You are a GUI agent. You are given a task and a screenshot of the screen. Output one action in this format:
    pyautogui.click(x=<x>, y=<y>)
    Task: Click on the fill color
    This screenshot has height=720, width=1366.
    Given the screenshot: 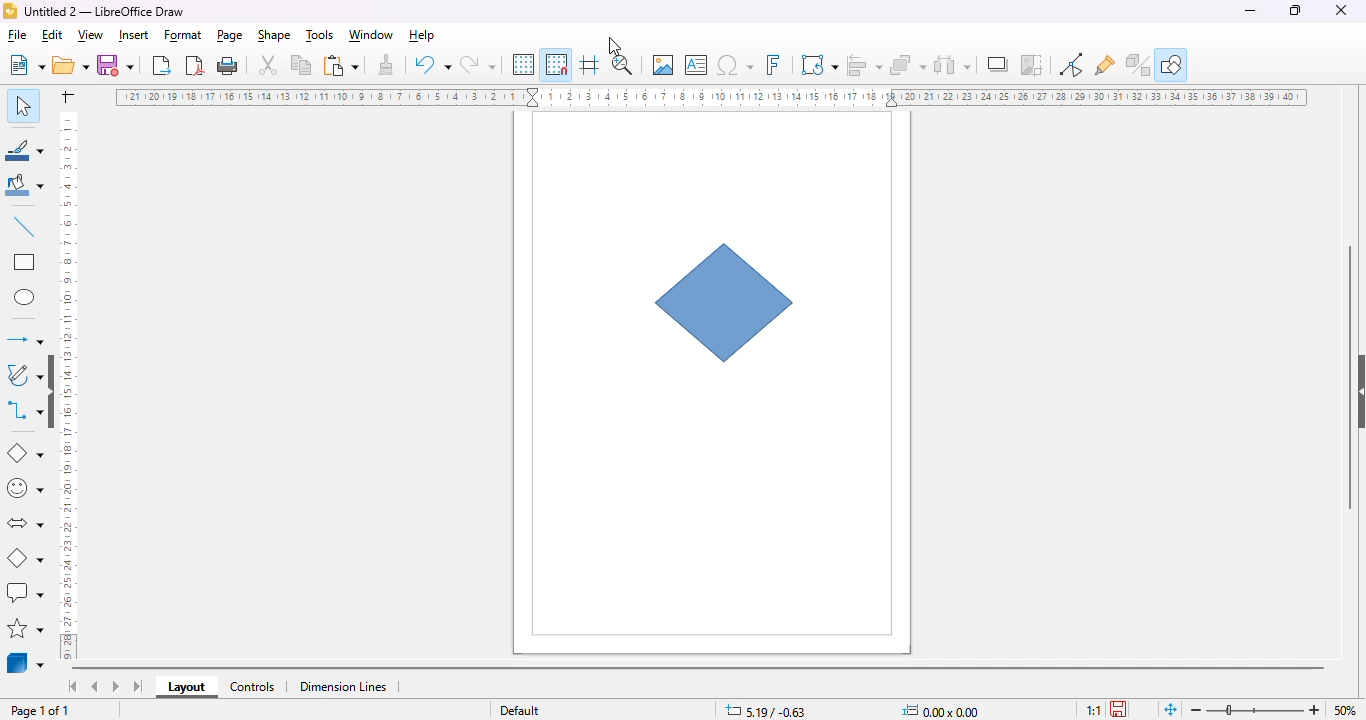 What is the action you would take?
    pyautogui.click(x=24, y=186)
    